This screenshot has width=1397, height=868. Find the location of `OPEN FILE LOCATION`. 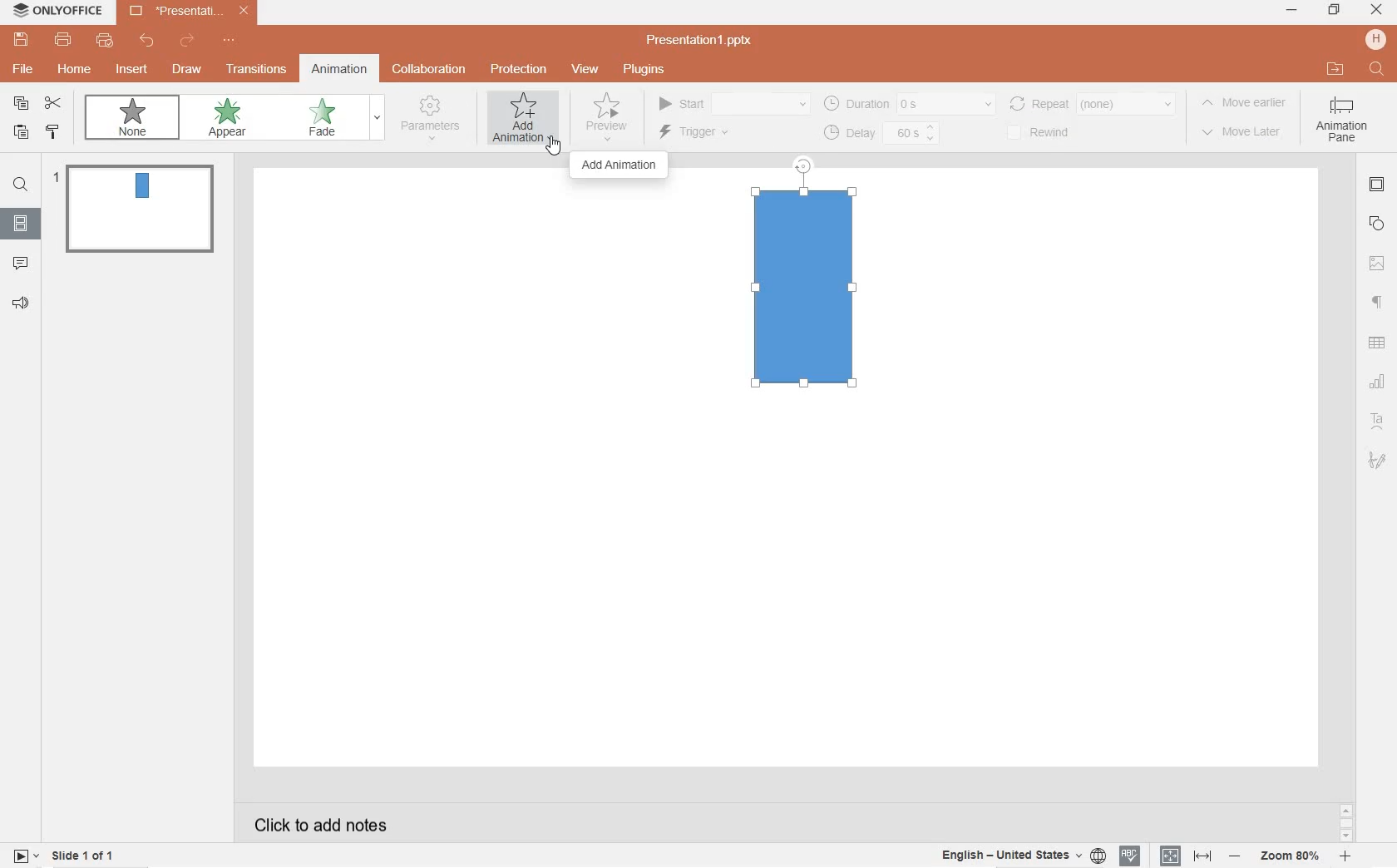

OPEN FILE LOCATION is located at coordinates (1336, 69).